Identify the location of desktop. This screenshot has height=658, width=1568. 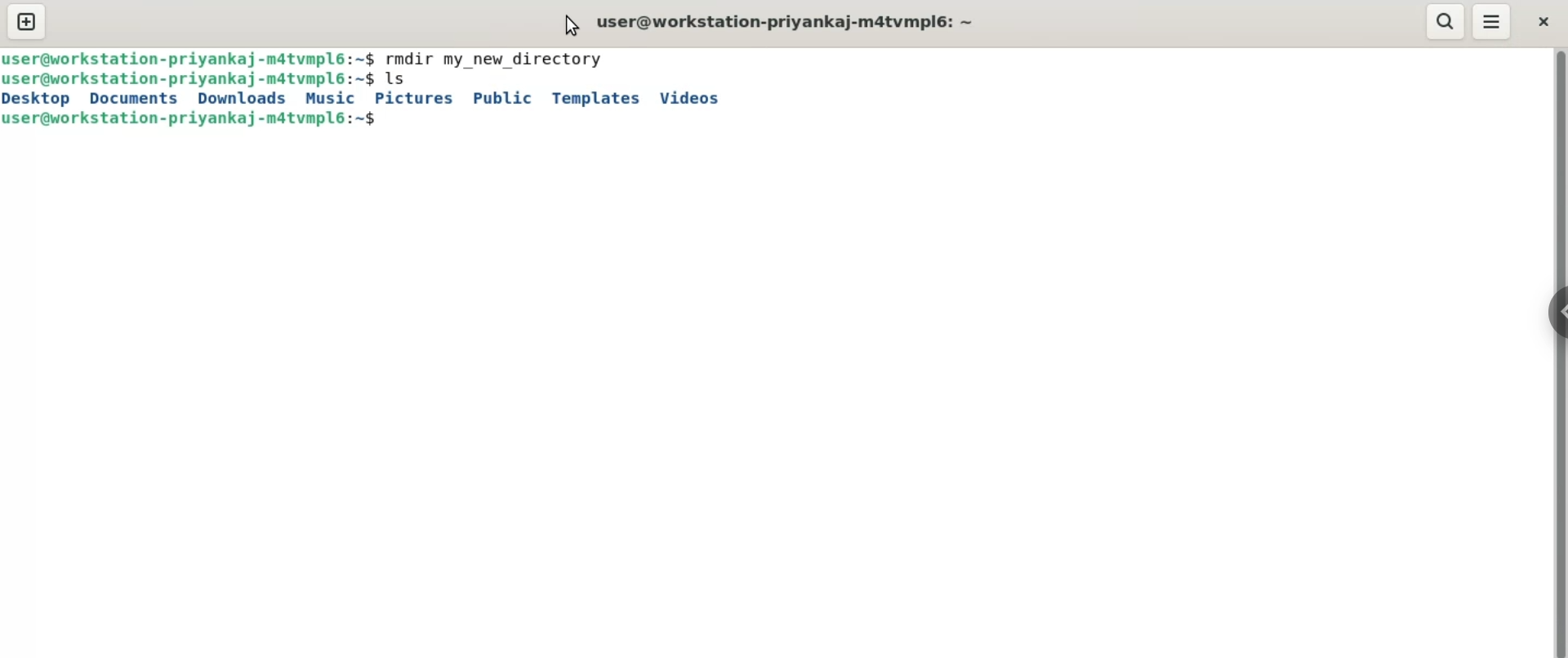
(36, 99).